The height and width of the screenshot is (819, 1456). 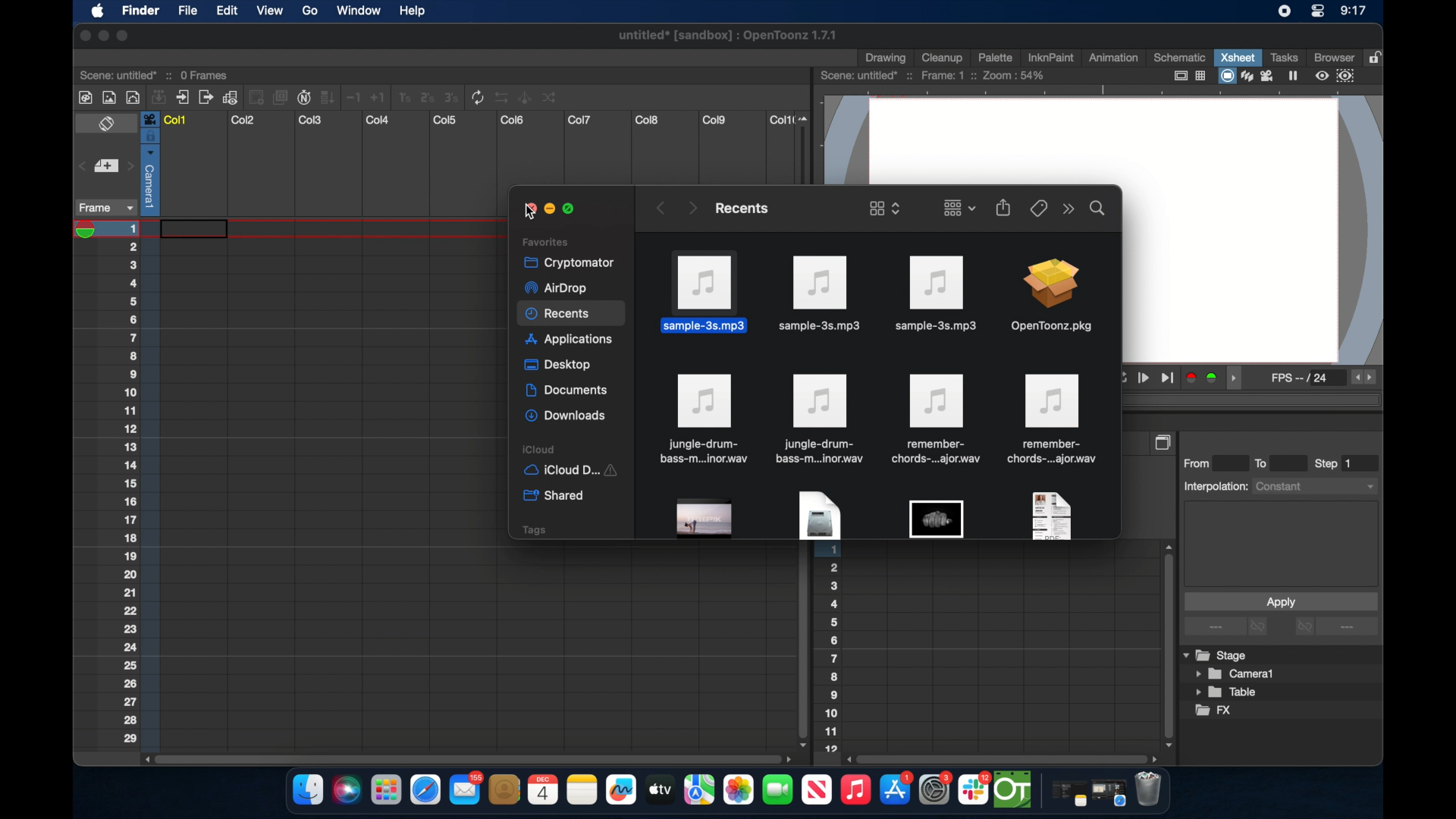 What do you see at coordinates (740, 208) in the screenshot?
I see `recents` at bounding box center [740, 208].